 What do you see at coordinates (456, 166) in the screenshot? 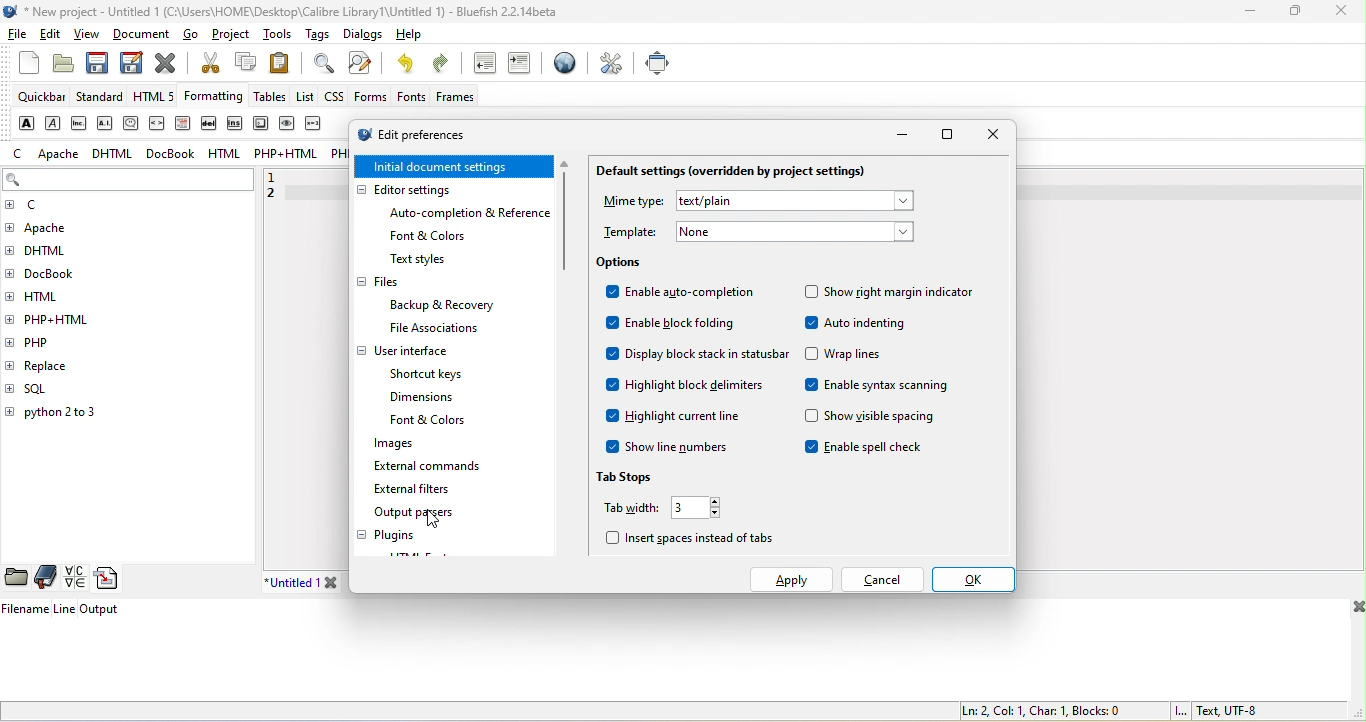
I see `initial document settings` at bounding box center [456, 166].